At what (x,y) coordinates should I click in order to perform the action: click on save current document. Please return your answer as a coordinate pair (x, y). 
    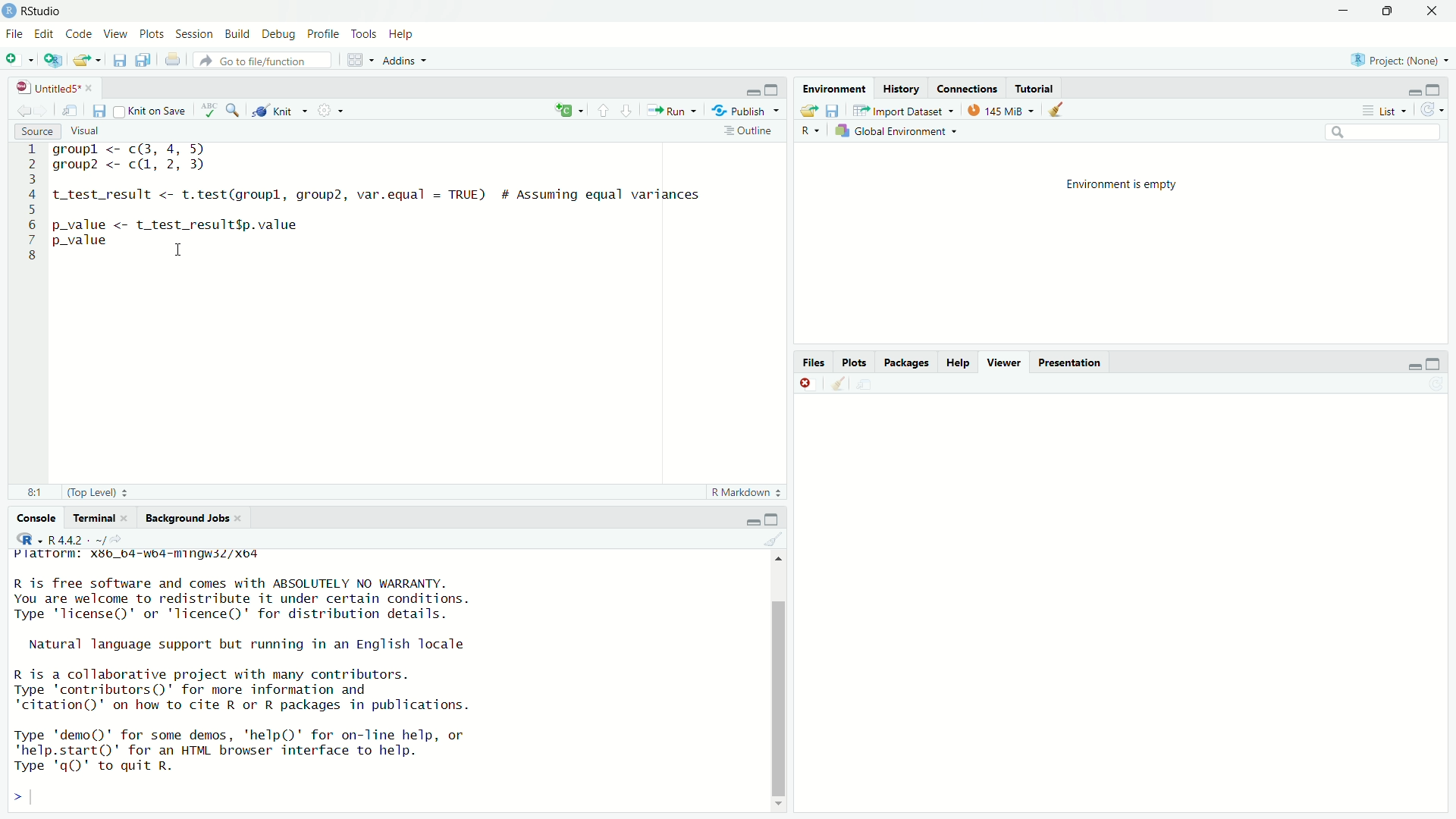
    Looking at the image, I should click on (120, 60).